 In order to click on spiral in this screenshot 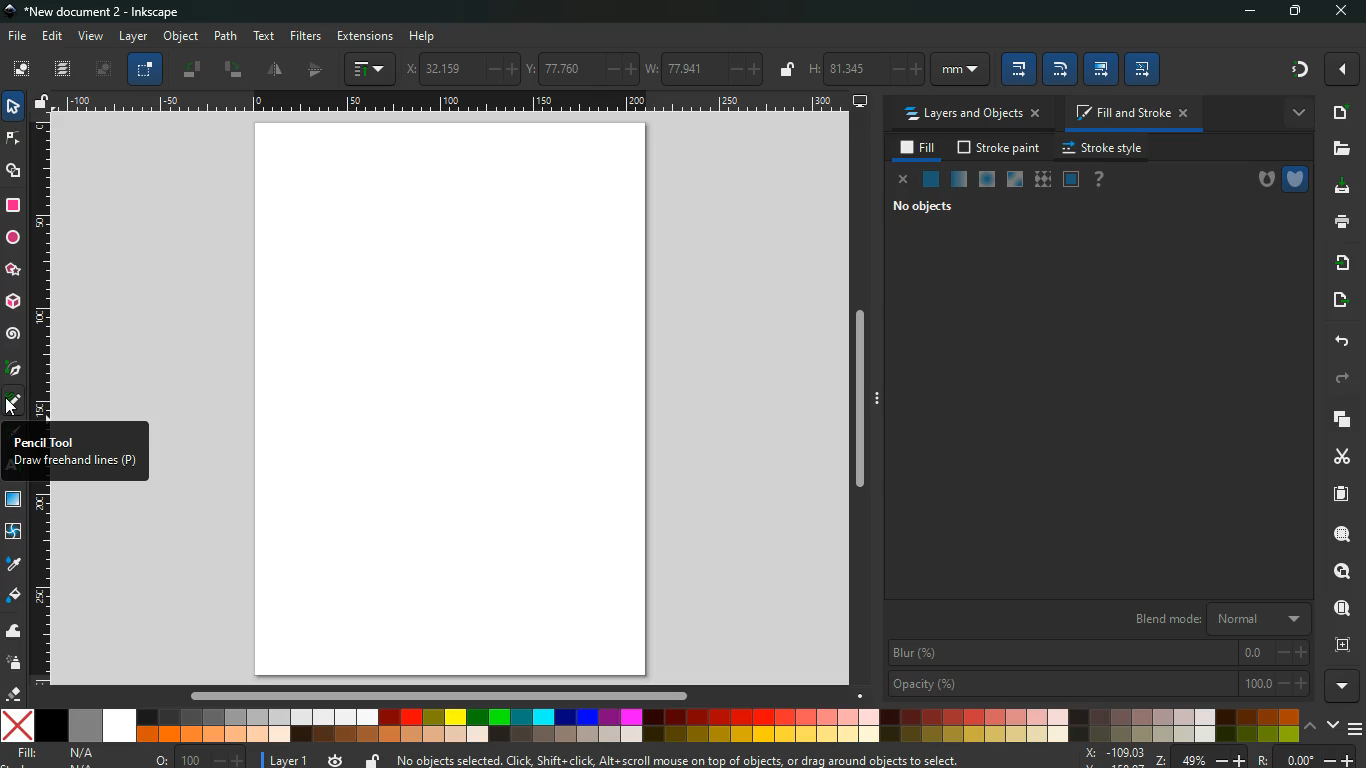, I will do `click(14, 334)`.